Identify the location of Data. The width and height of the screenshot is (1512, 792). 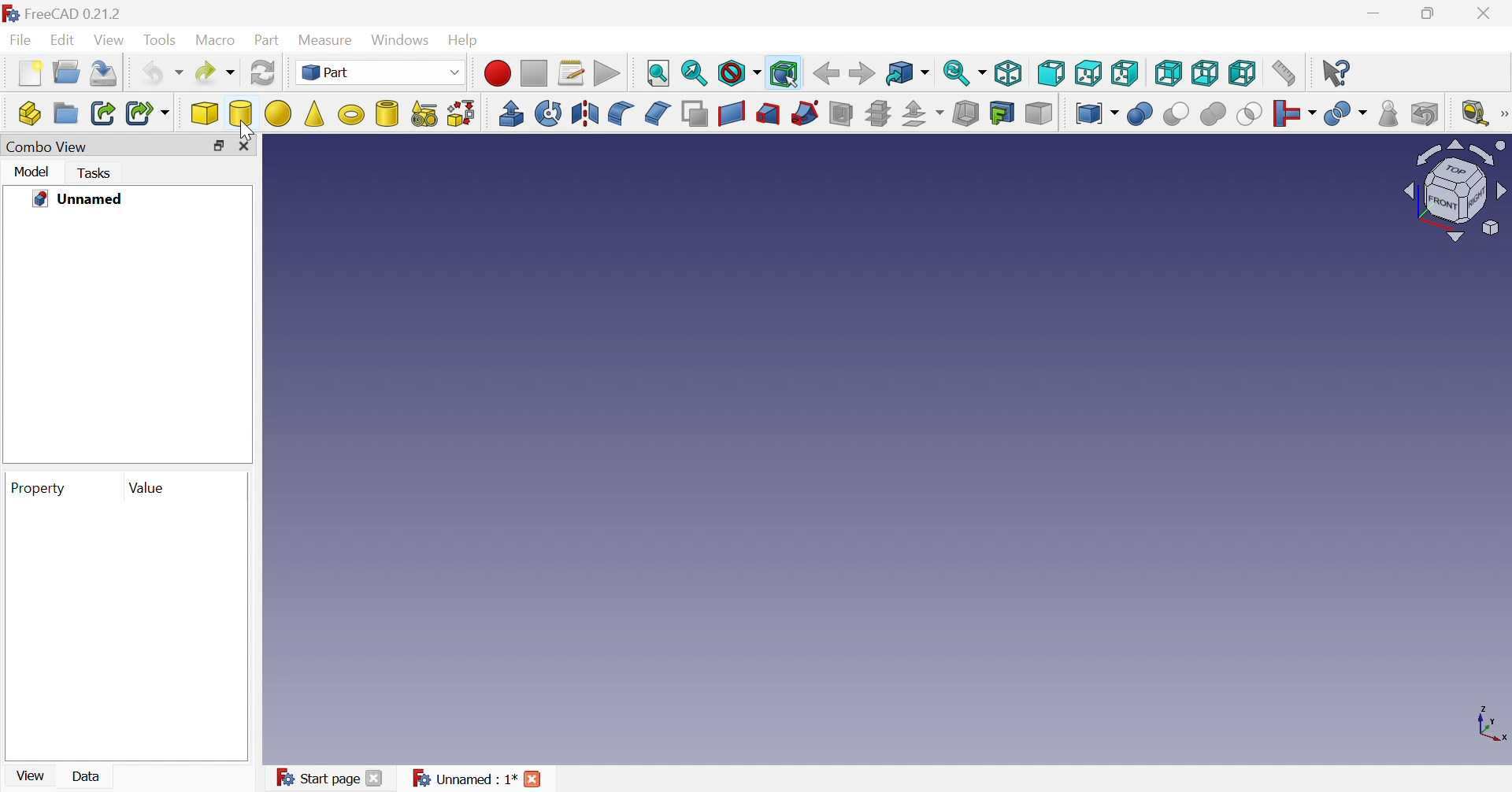
(89, 776).